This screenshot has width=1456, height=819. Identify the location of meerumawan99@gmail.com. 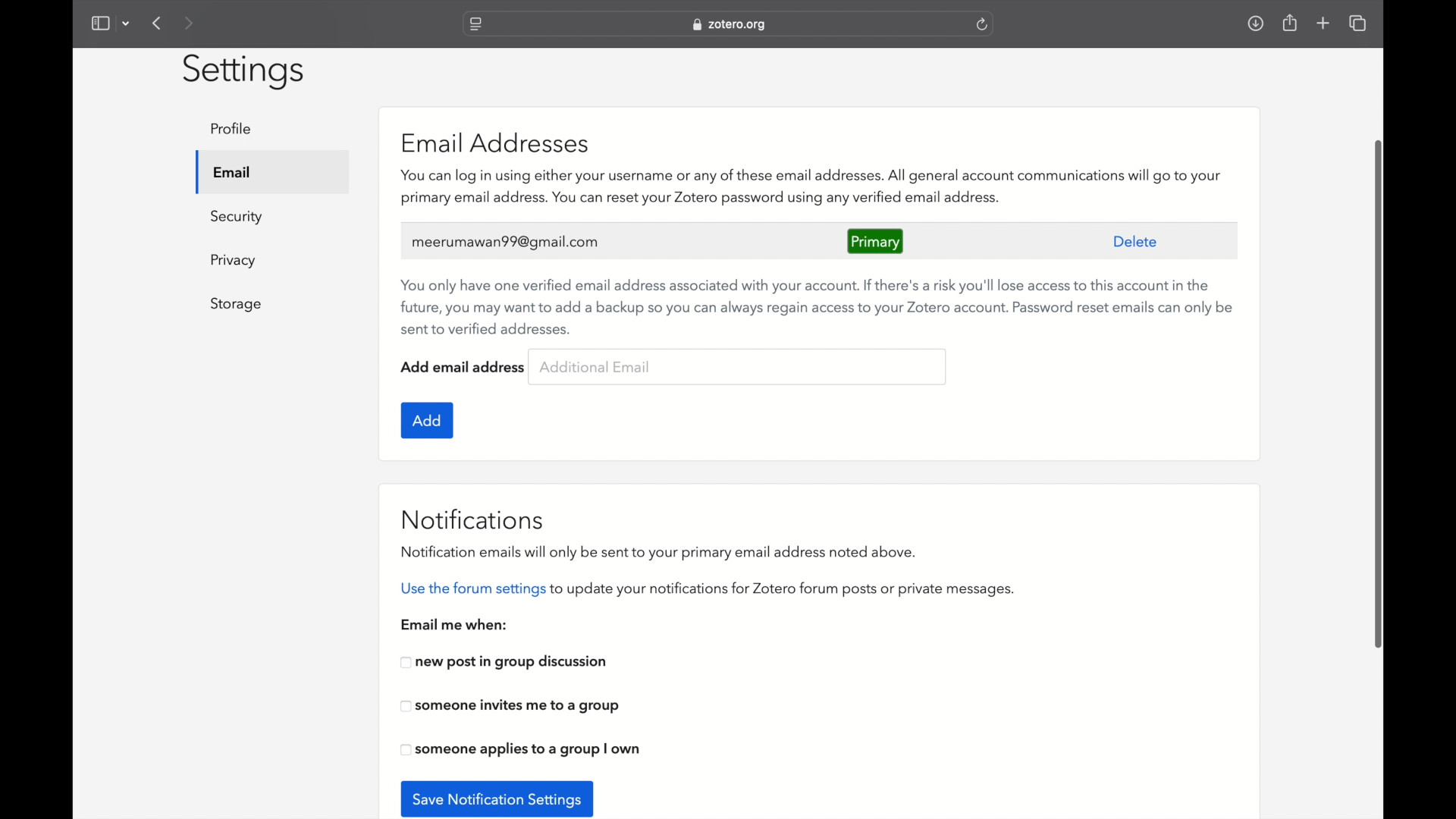
(506, 243).